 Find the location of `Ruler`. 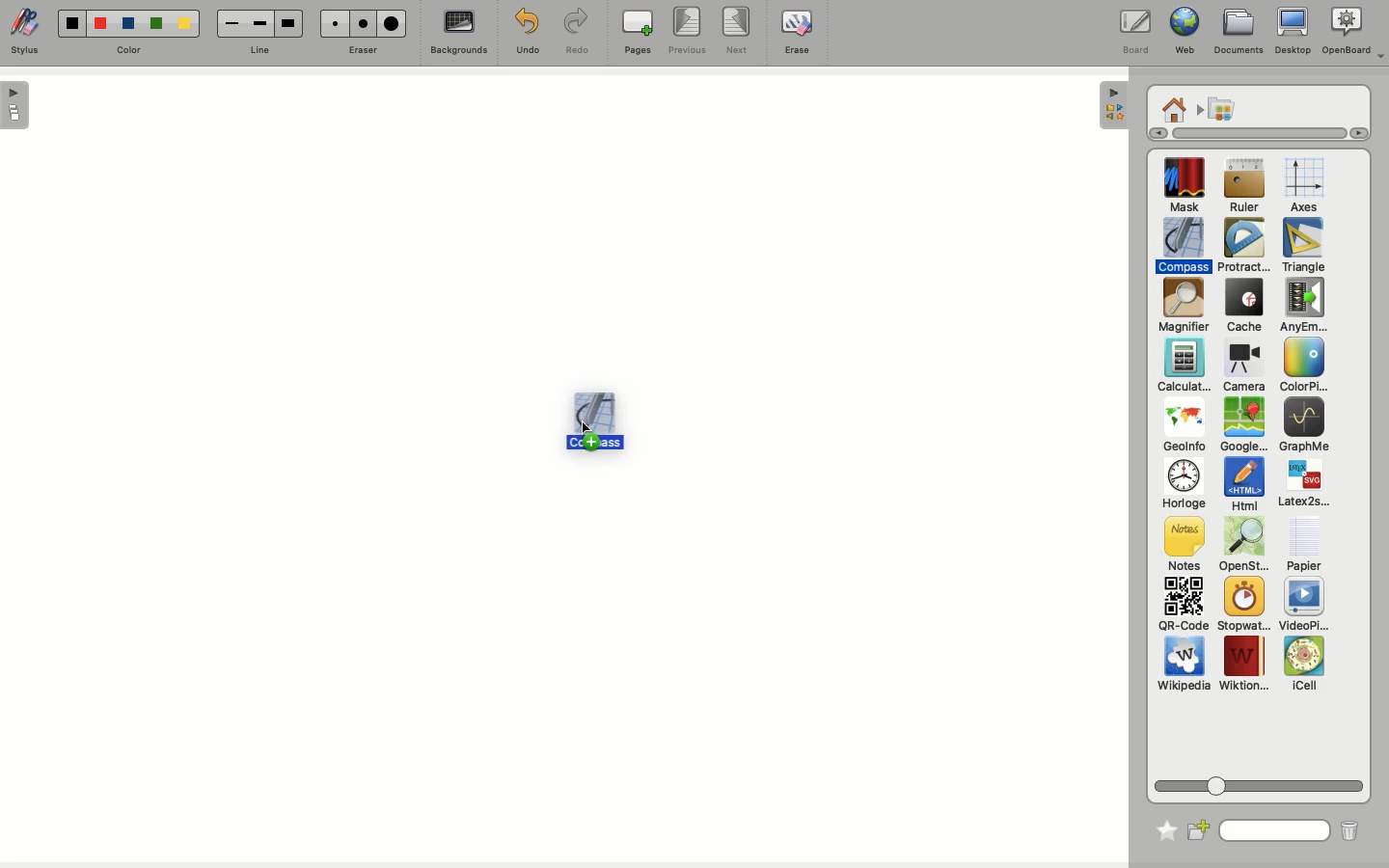

Ruler is located at coordinates (1244, 187).